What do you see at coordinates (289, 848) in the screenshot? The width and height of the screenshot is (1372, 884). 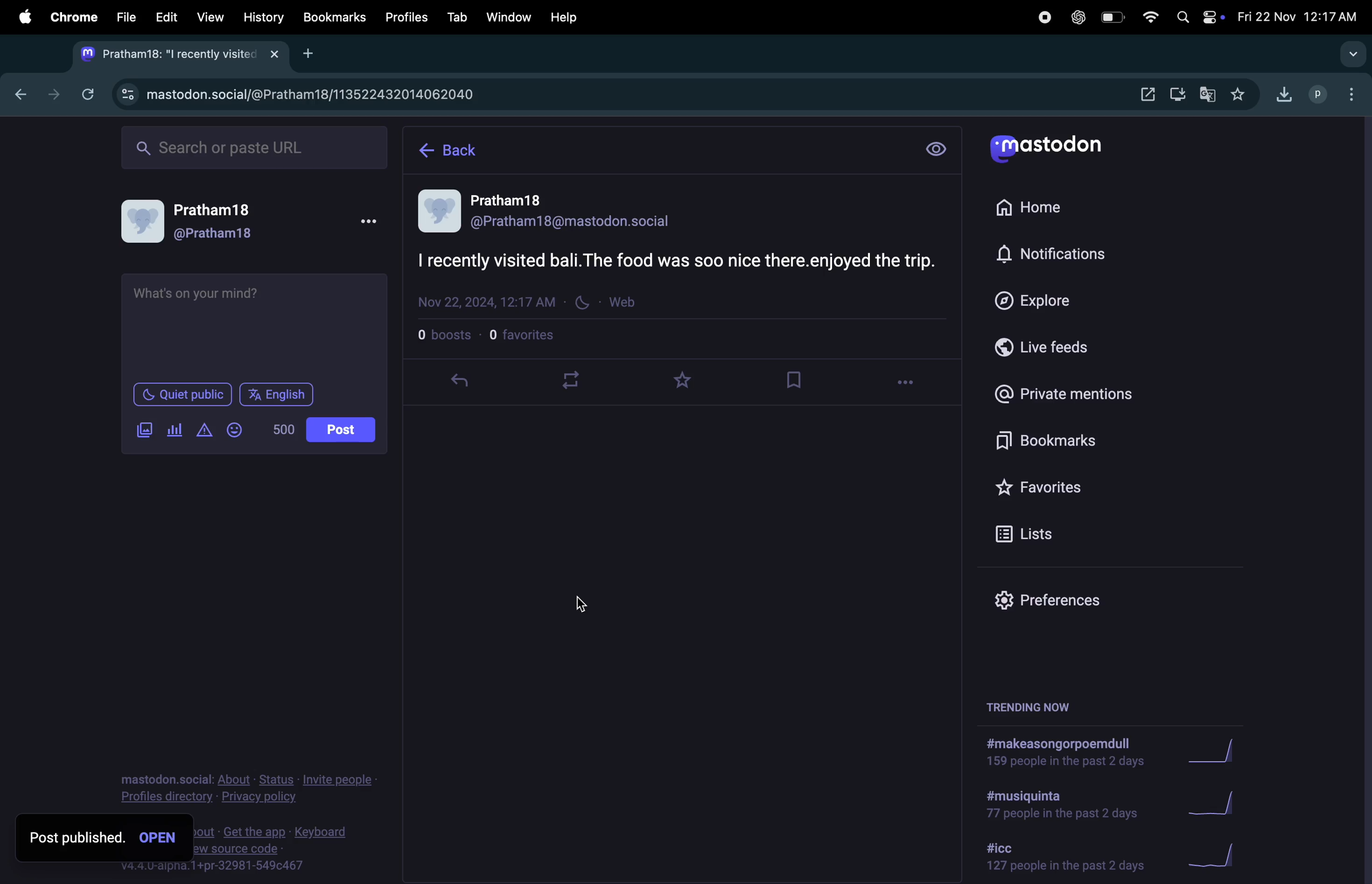 I see `source code` at bounding box center [289, 848].